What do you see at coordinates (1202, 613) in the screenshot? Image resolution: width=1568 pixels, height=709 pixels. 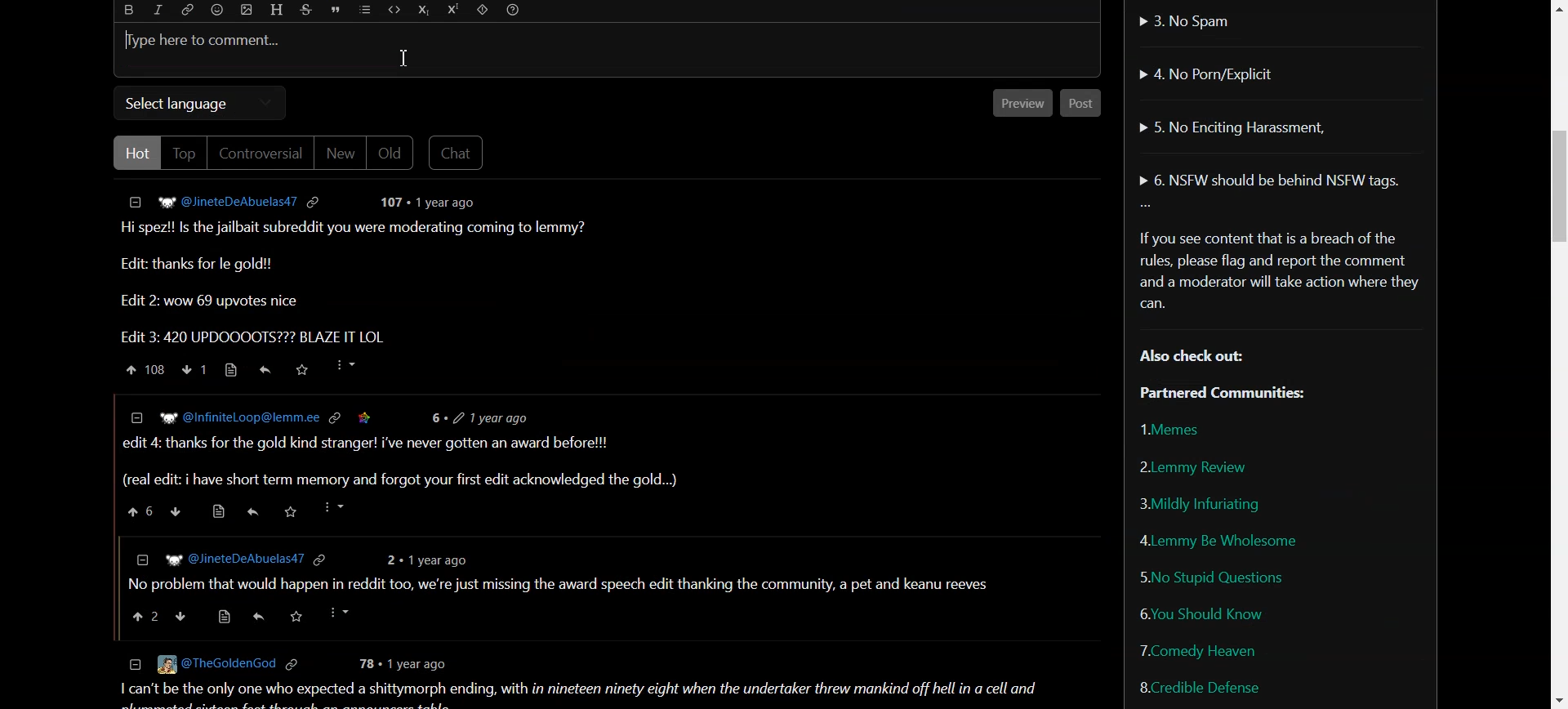 I see `You Should Know` at bounding box center [1202, 613].